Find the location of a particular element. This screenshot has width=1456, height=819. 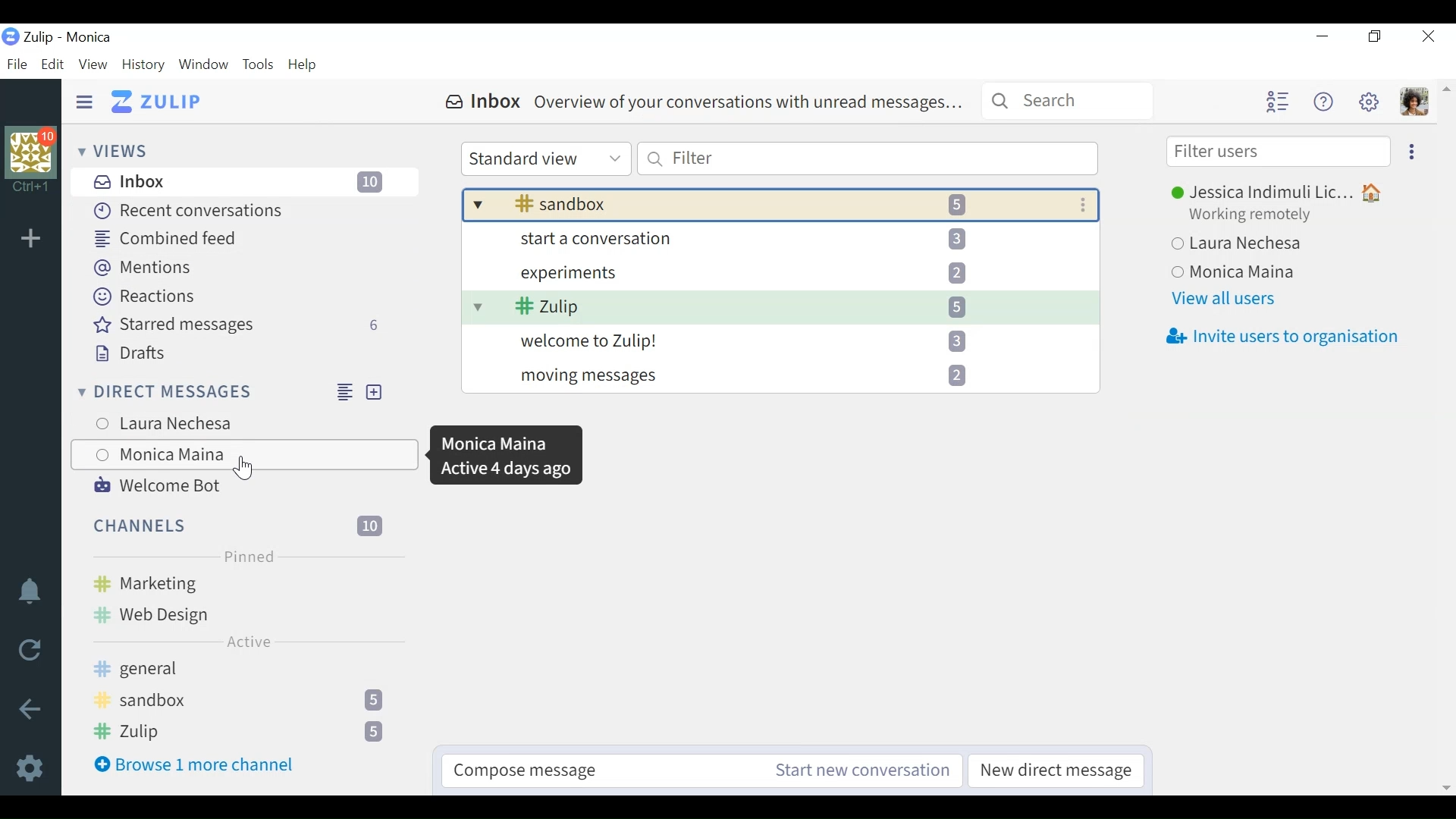

Drafts is located at coordinates (131, 354).